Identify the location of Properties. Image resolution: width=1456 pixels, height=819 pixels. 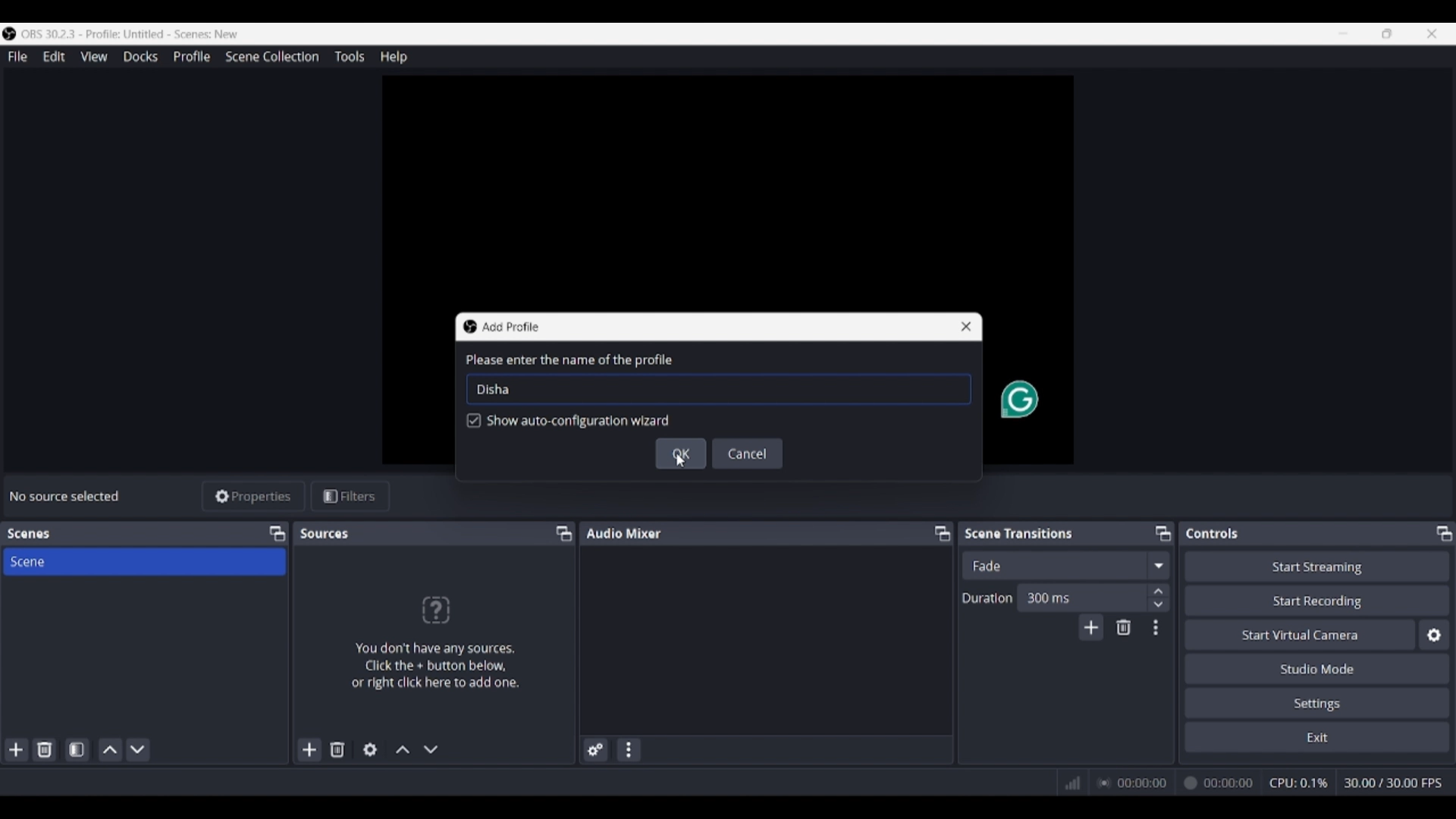
(254, 497).